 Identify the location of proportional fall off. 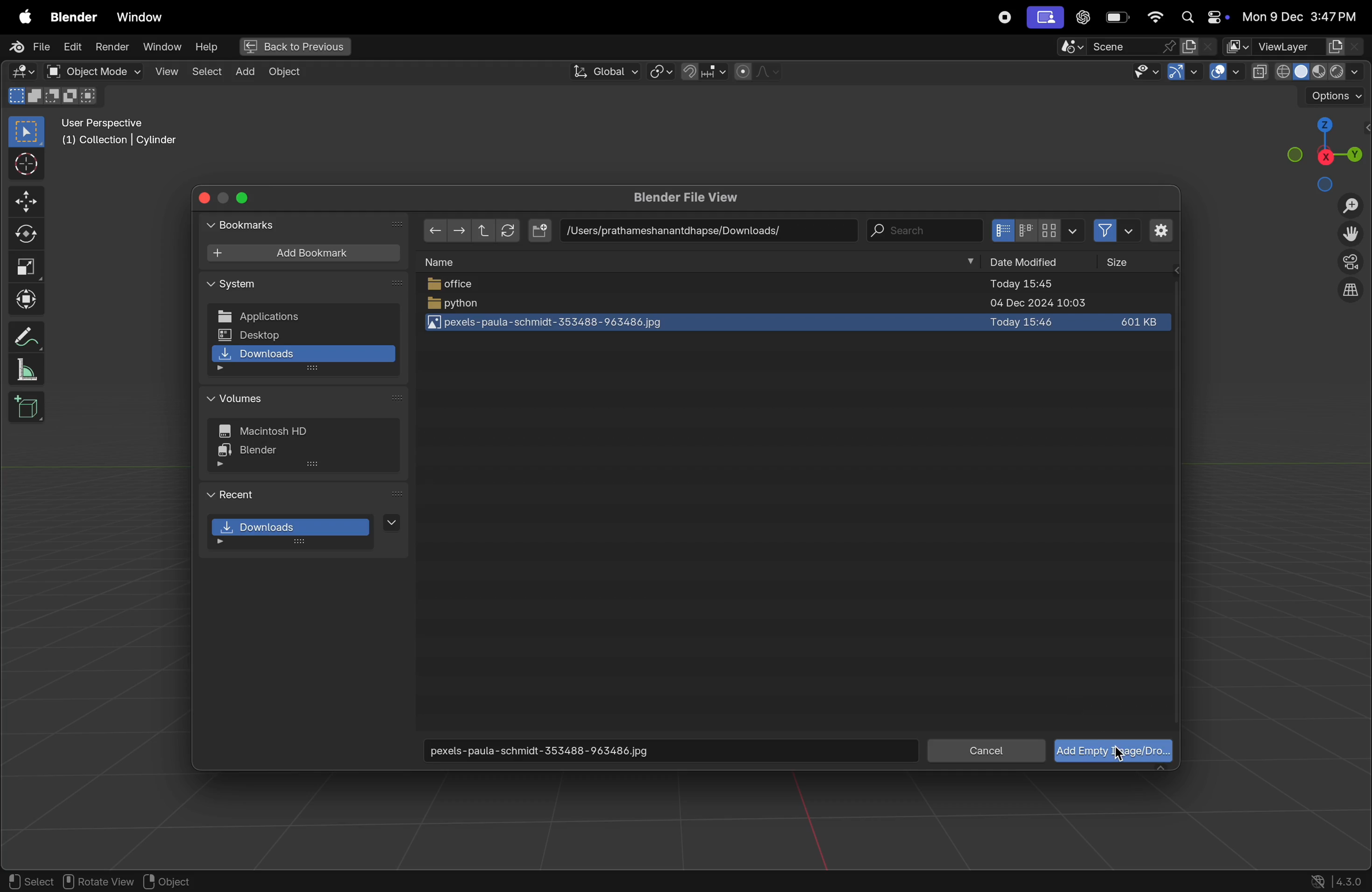
(756, 72).